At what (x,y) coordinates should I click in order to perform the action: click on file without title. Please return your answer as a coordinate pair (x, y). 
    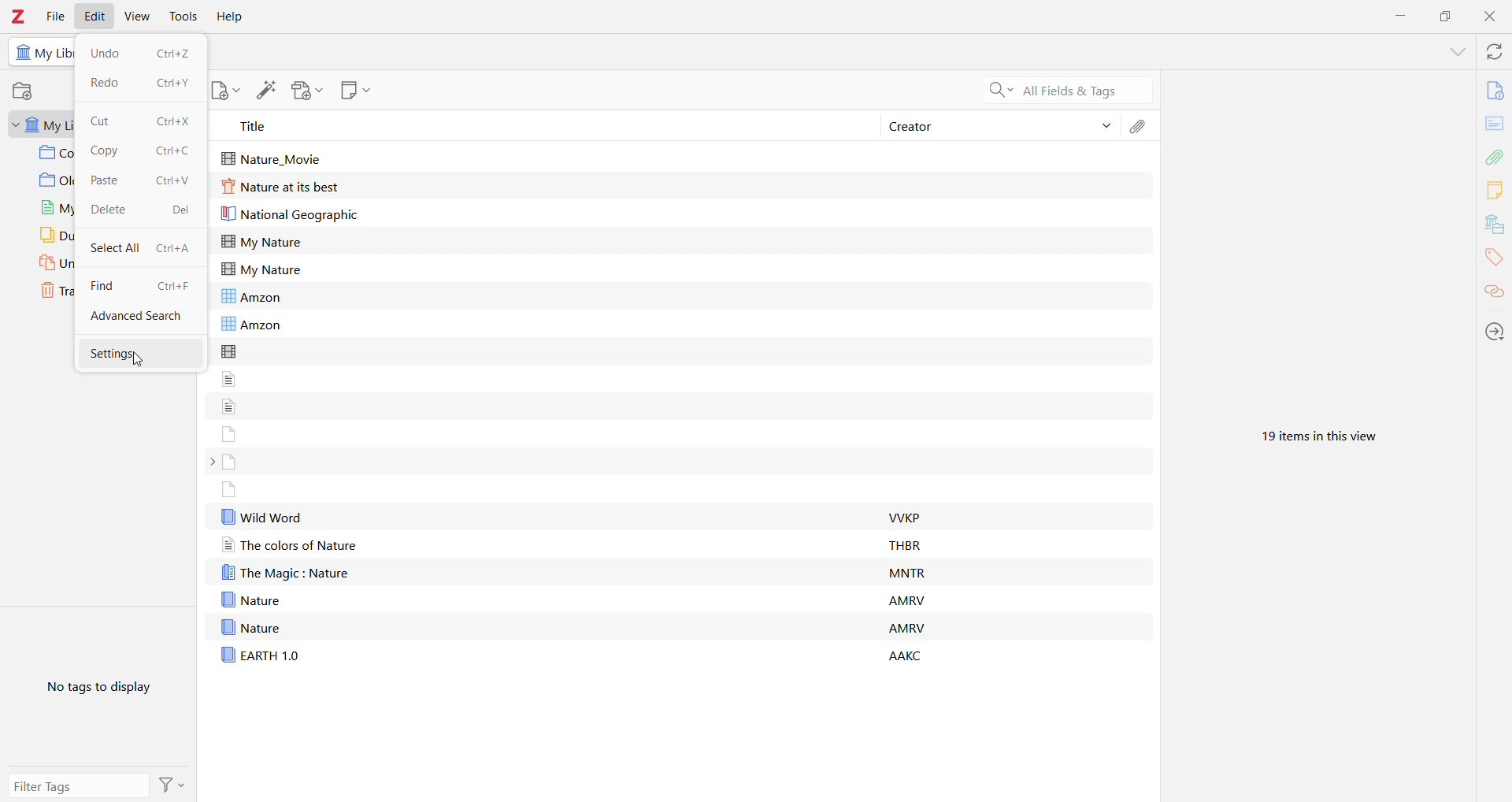
    Looking at the image, I should click on (231, 378).